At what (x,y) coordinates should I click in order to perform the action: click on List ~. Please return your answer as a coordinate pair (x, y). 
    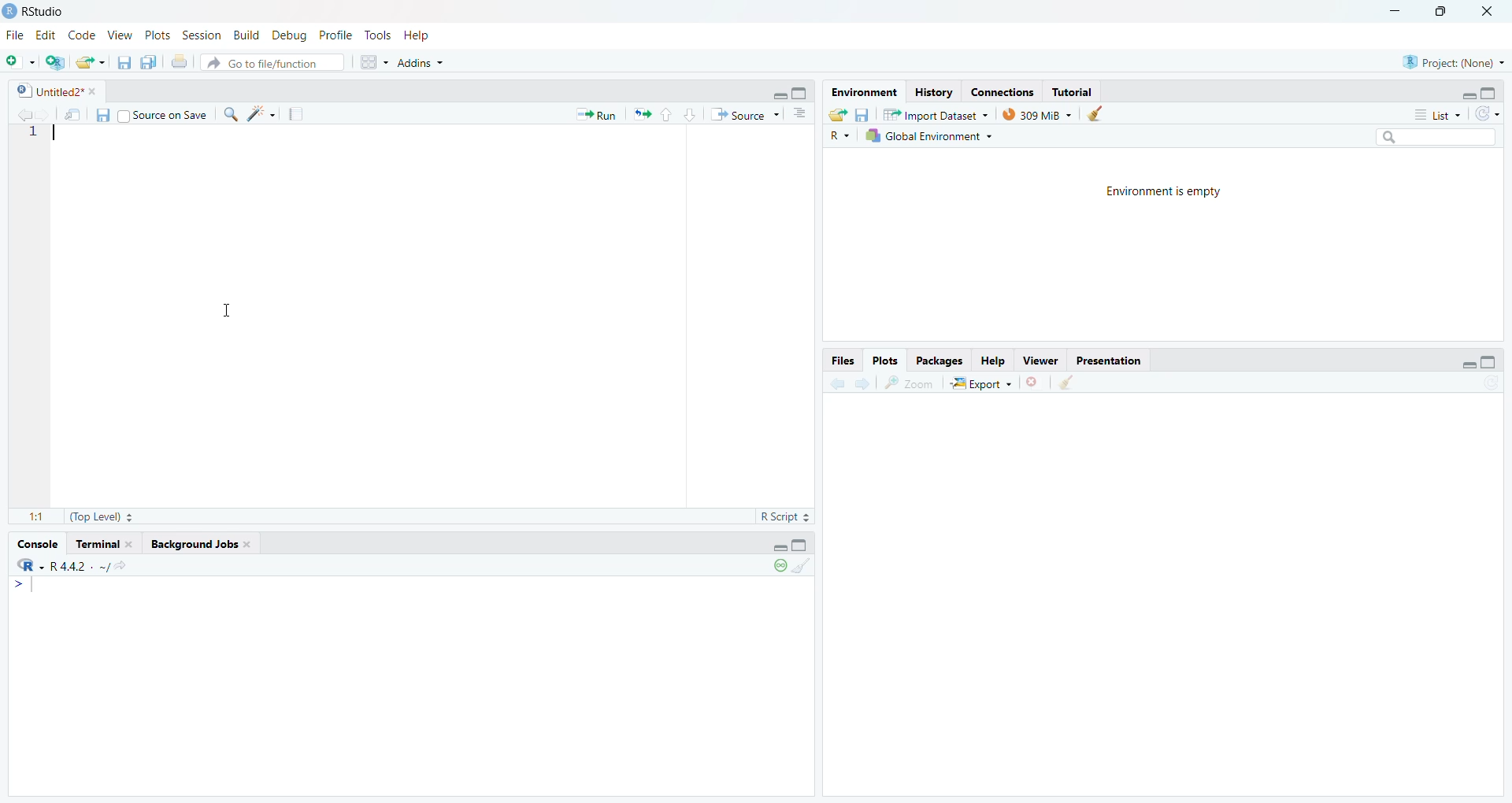
    Looking at the image, I should click on (1432, 113).